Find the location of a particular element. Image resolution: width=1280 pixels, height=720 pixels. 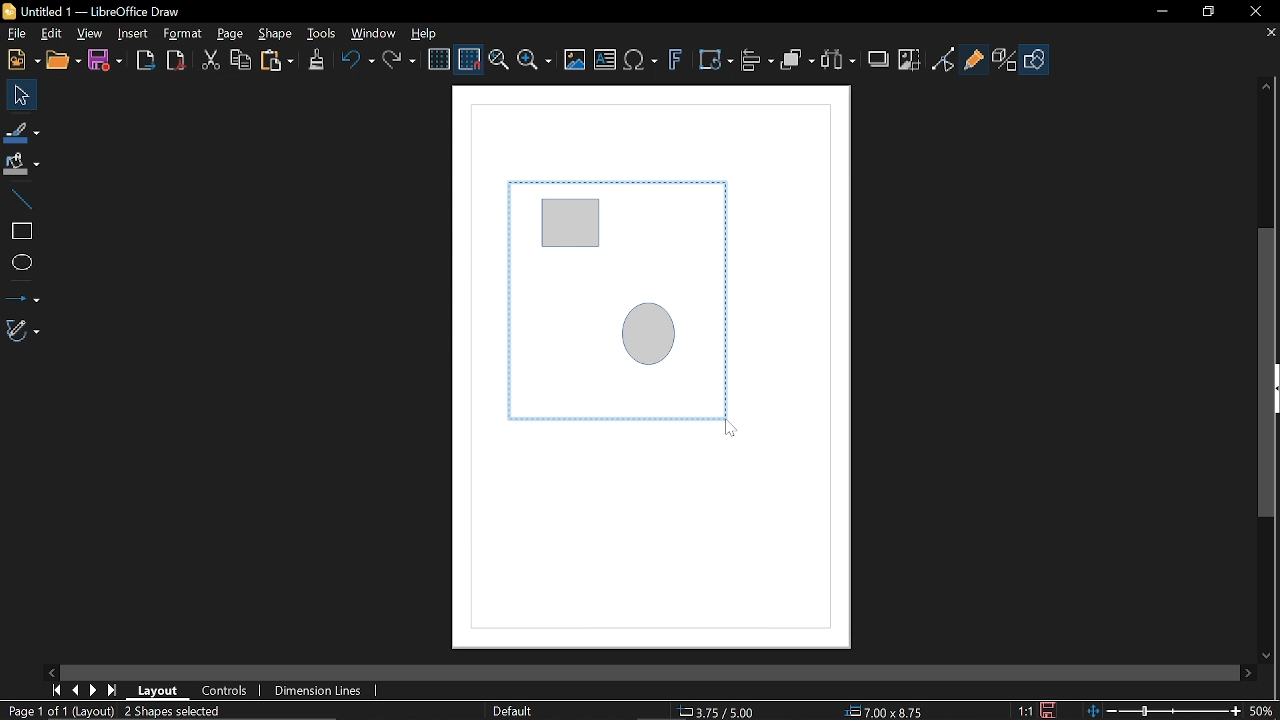

Mark objects is located at coordinates (176, 711).